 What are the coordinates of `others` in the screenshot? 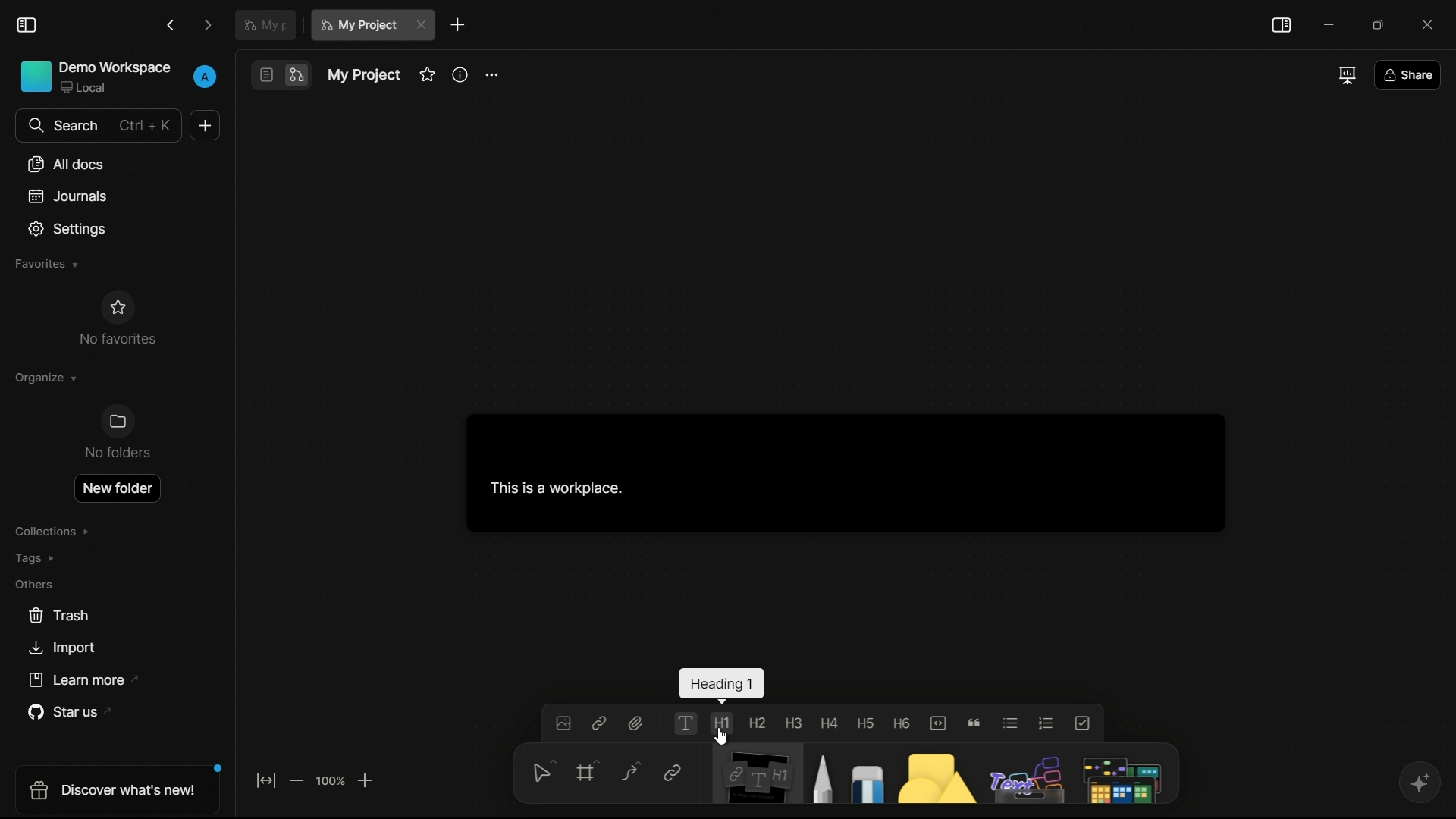 It's located at (1022, 774).